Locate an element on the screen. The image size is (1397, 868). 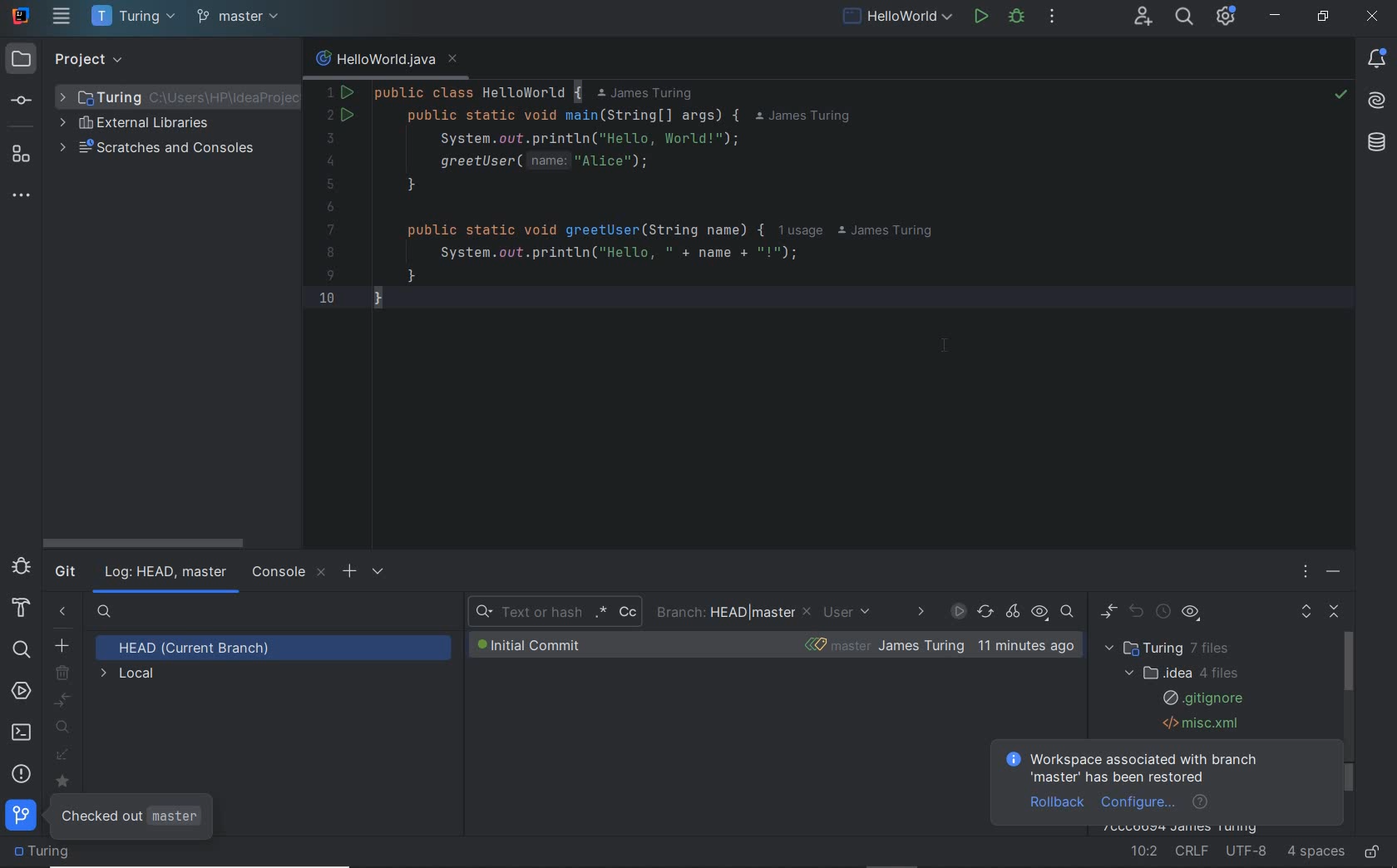
time is located at coordinates (1025, 646).